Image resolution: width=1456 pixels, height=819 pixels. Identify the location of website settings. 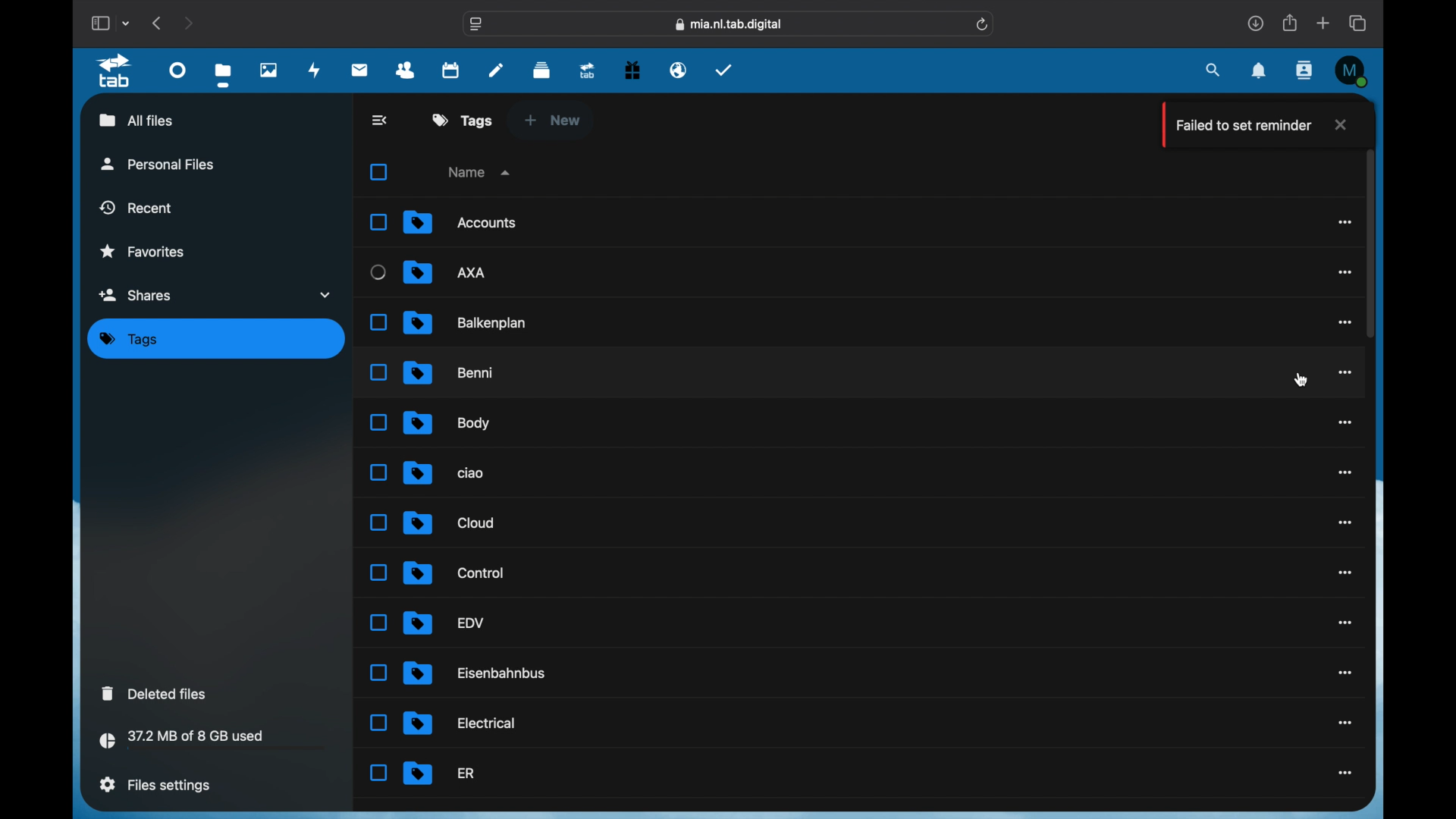
(476, 25).